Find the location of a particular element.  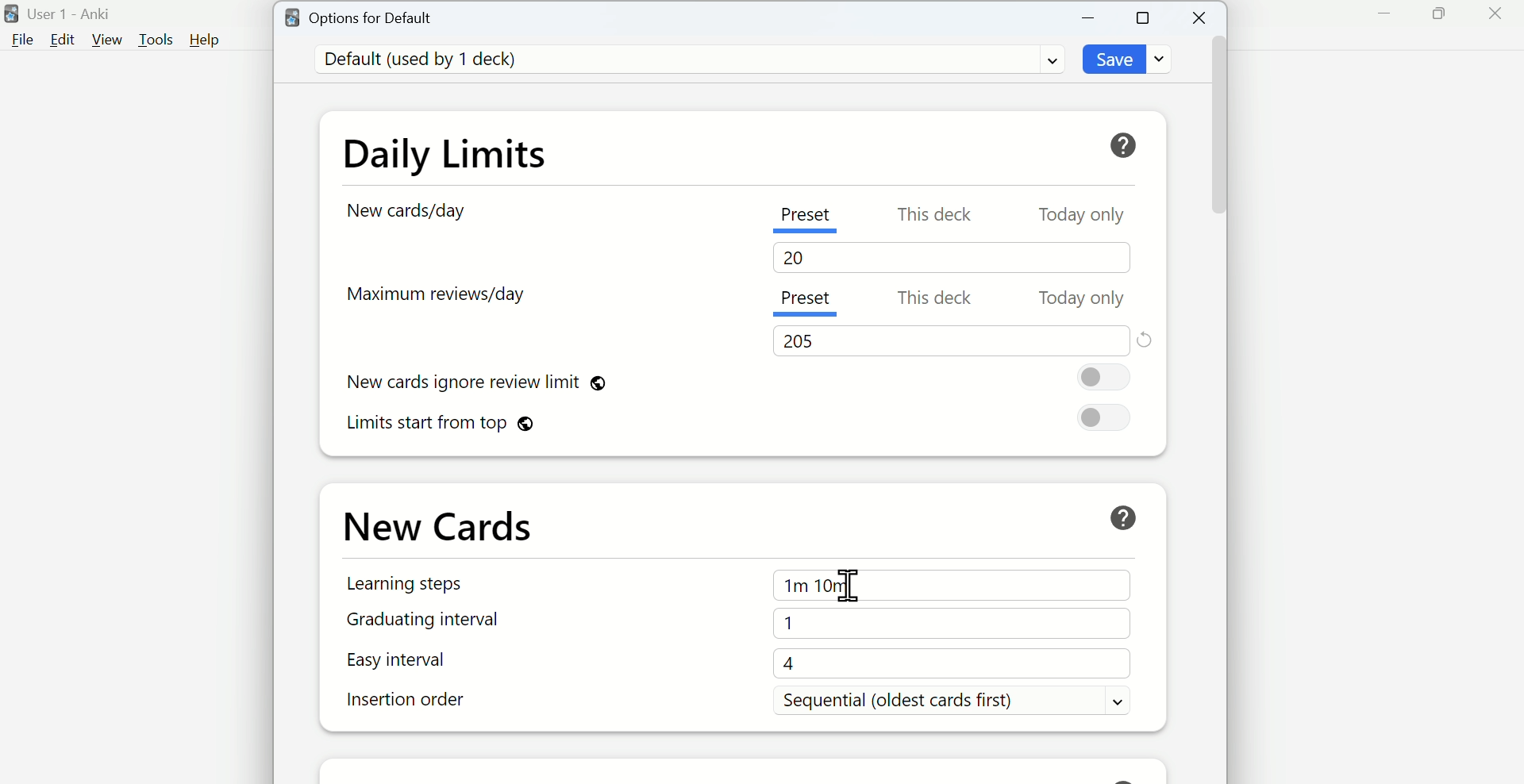

Help is located at coordinates (202, 40).